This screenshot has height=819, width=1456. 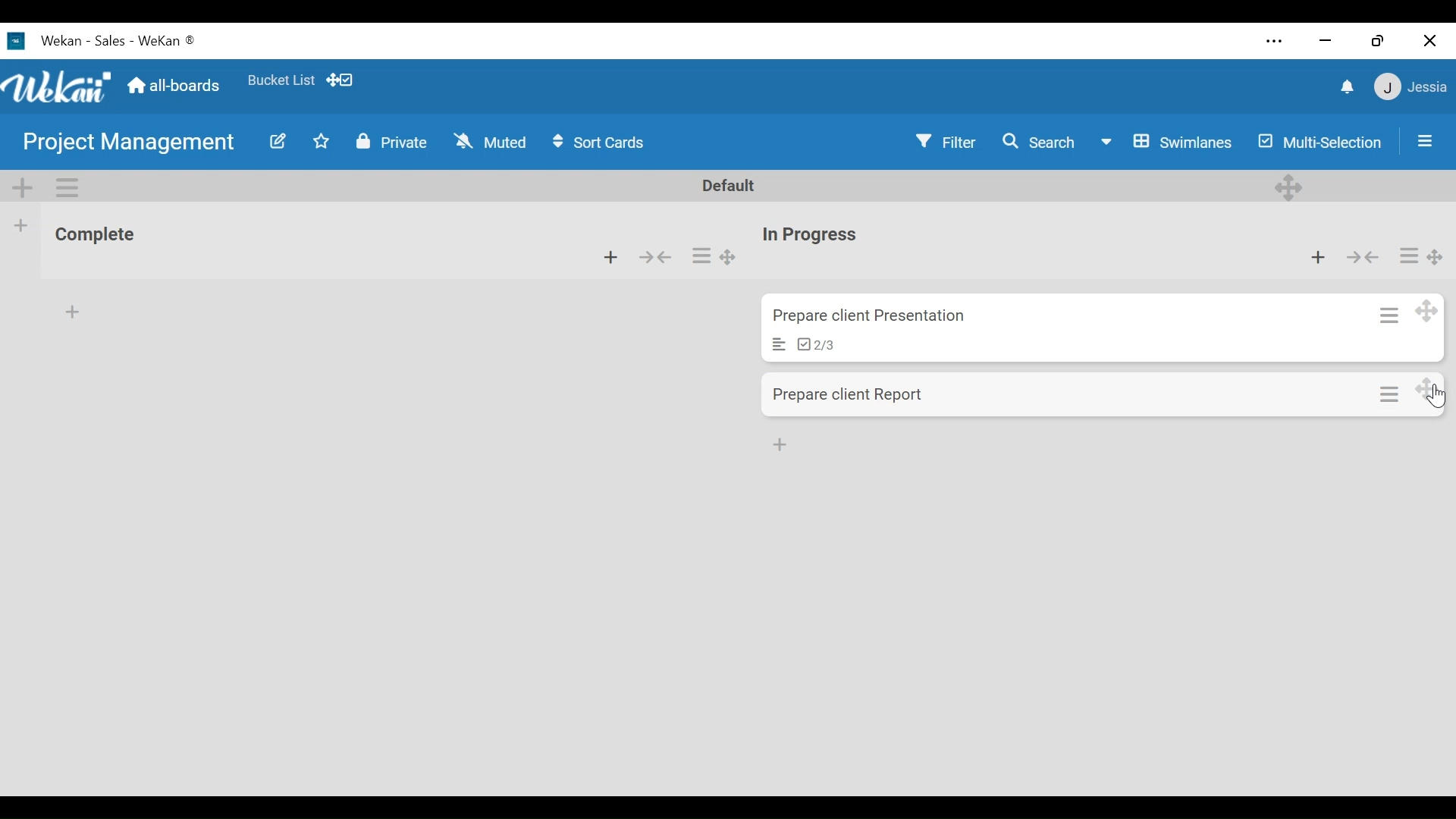 What do you see at coordinates (1426, 309) in the screenshot?
I see `Desktop drag handles` at bounding box center [1426, 309].